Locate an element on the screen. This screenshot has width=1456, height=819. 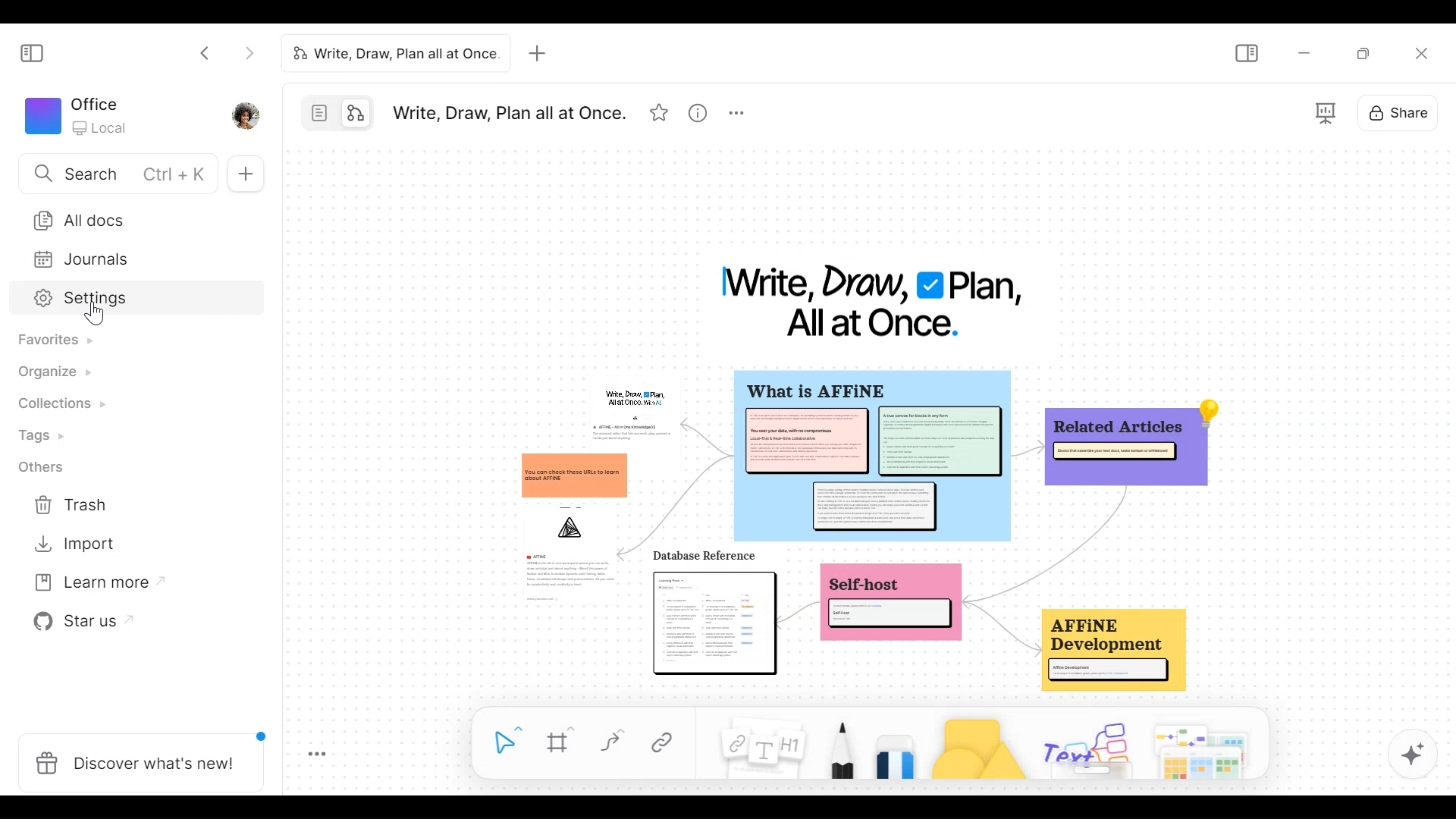
New Tab is located at coordinates (538, 53).